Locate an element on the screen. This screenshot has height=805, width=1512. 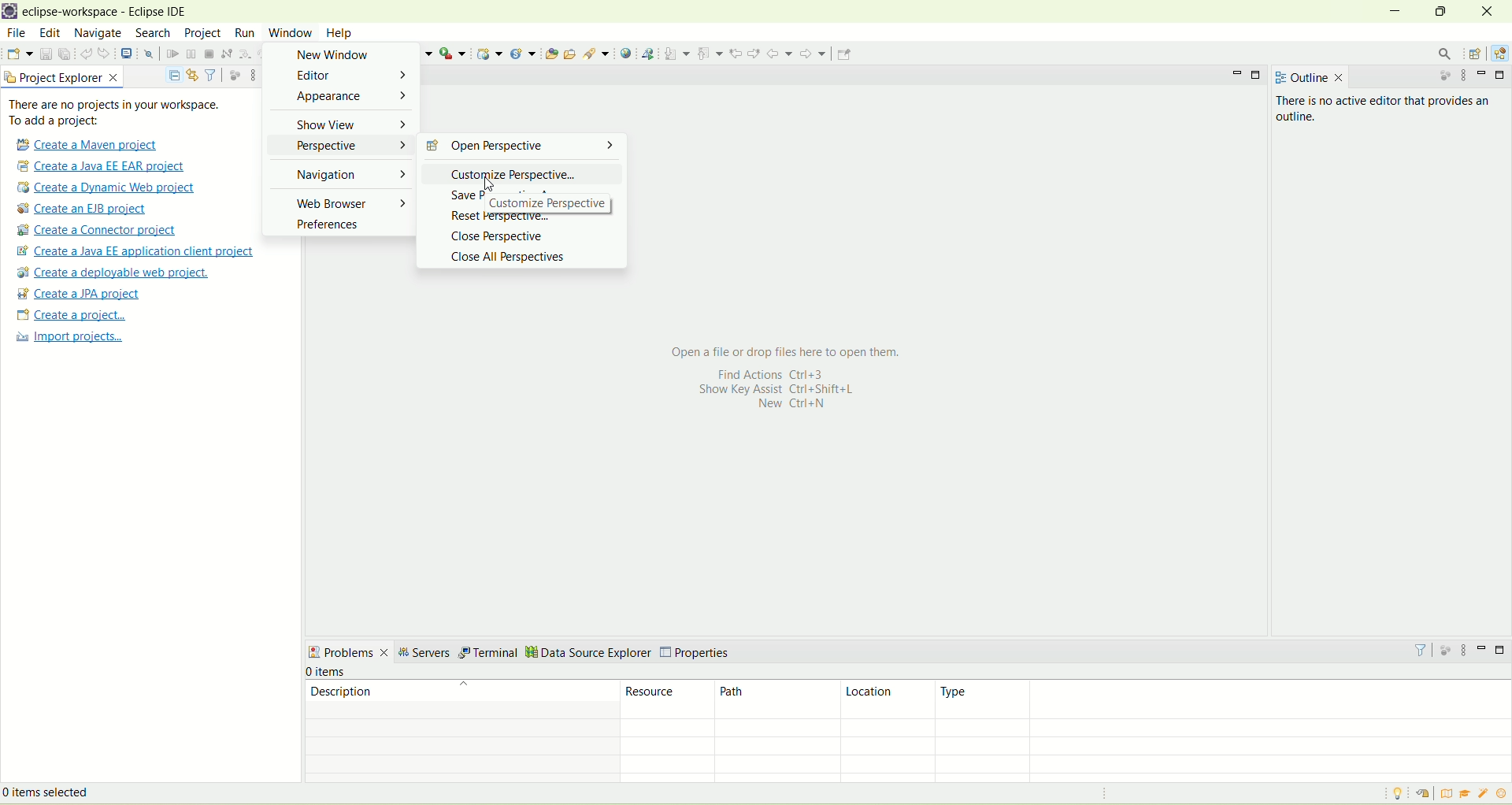
create a connector project is located at coordinates (97, 232).